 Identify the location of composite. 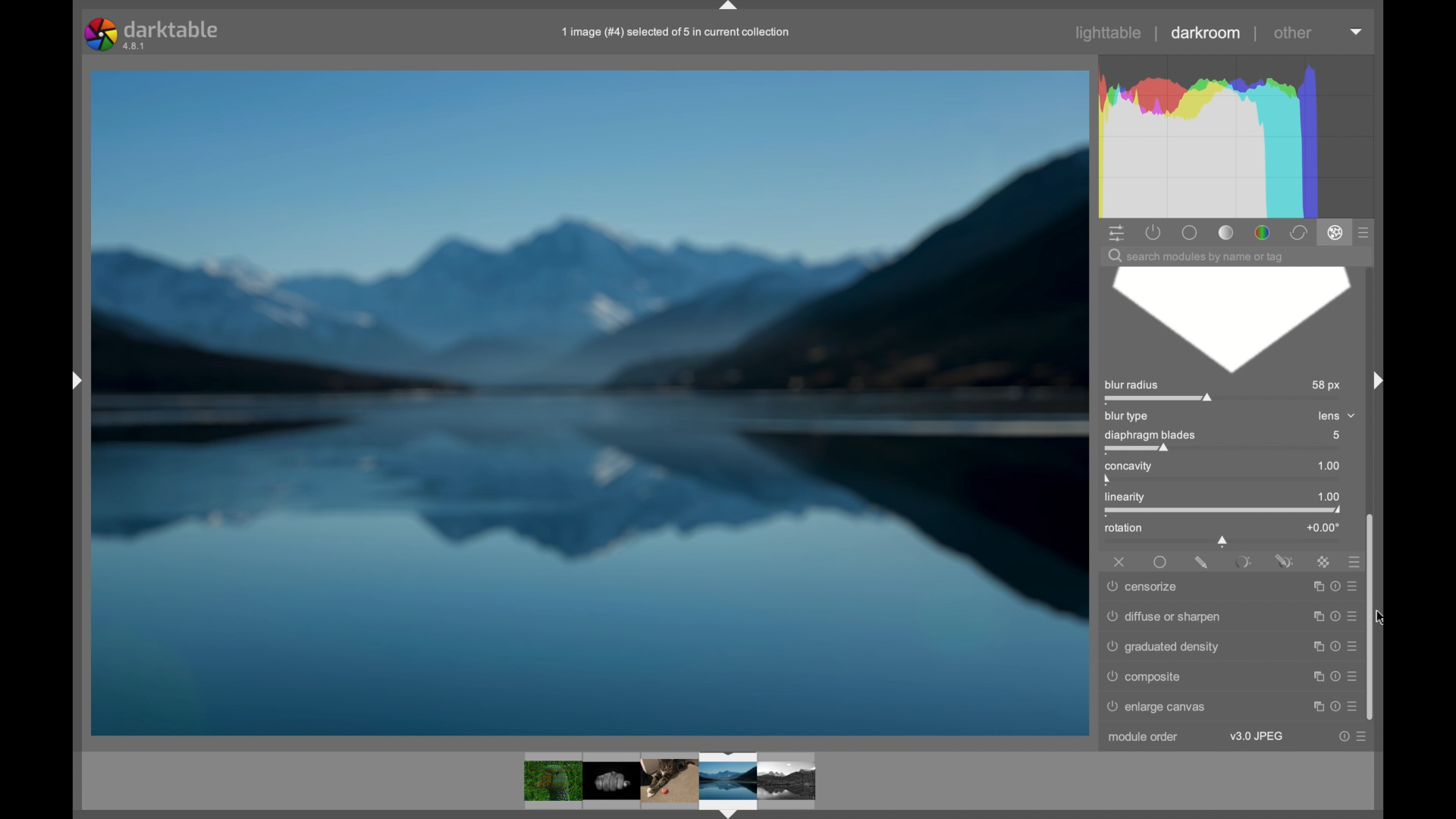
(1145, 677).